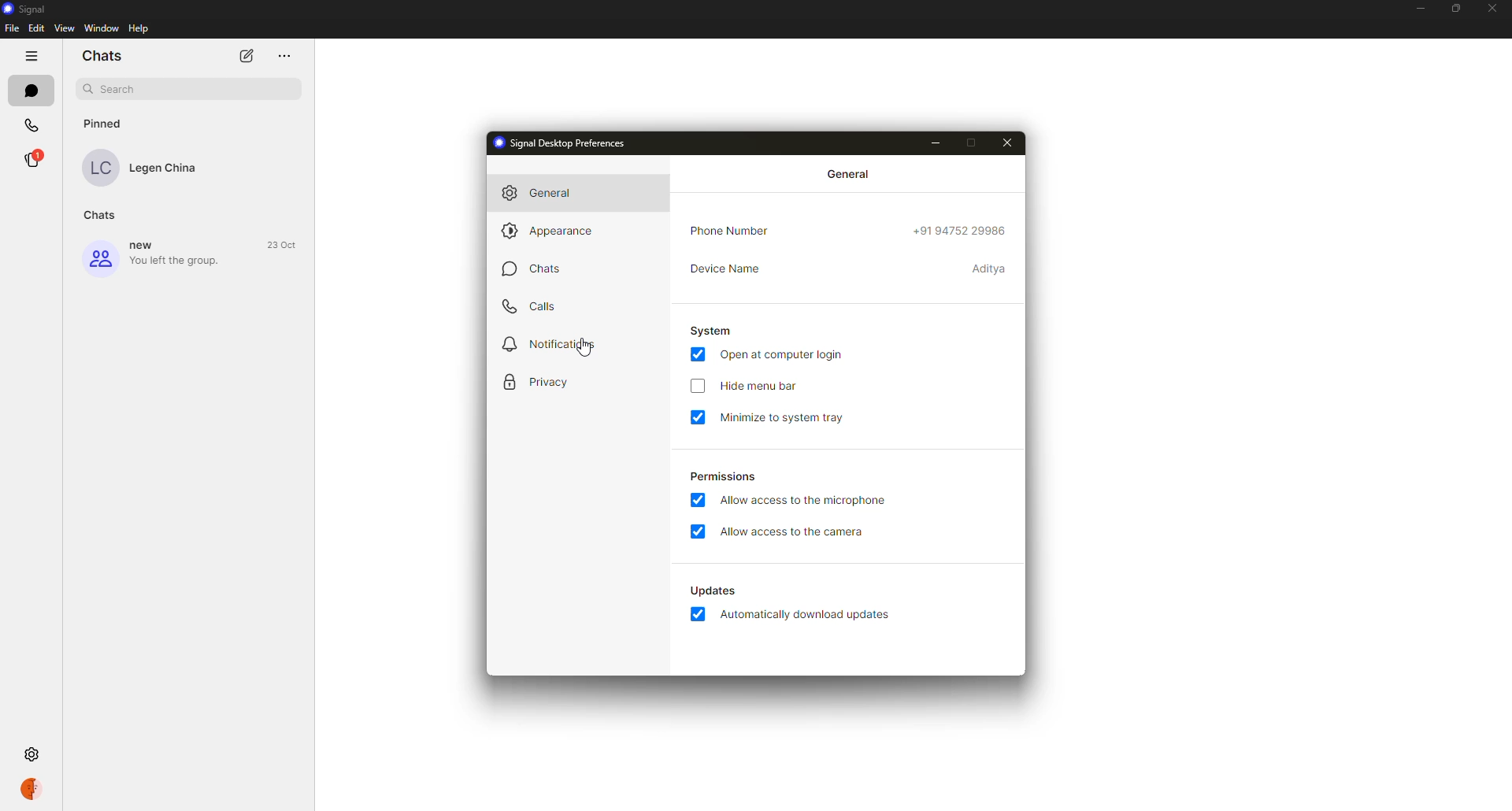 This screenshot has width=1512, height=811. I want to click on ®, so click(31, 159).